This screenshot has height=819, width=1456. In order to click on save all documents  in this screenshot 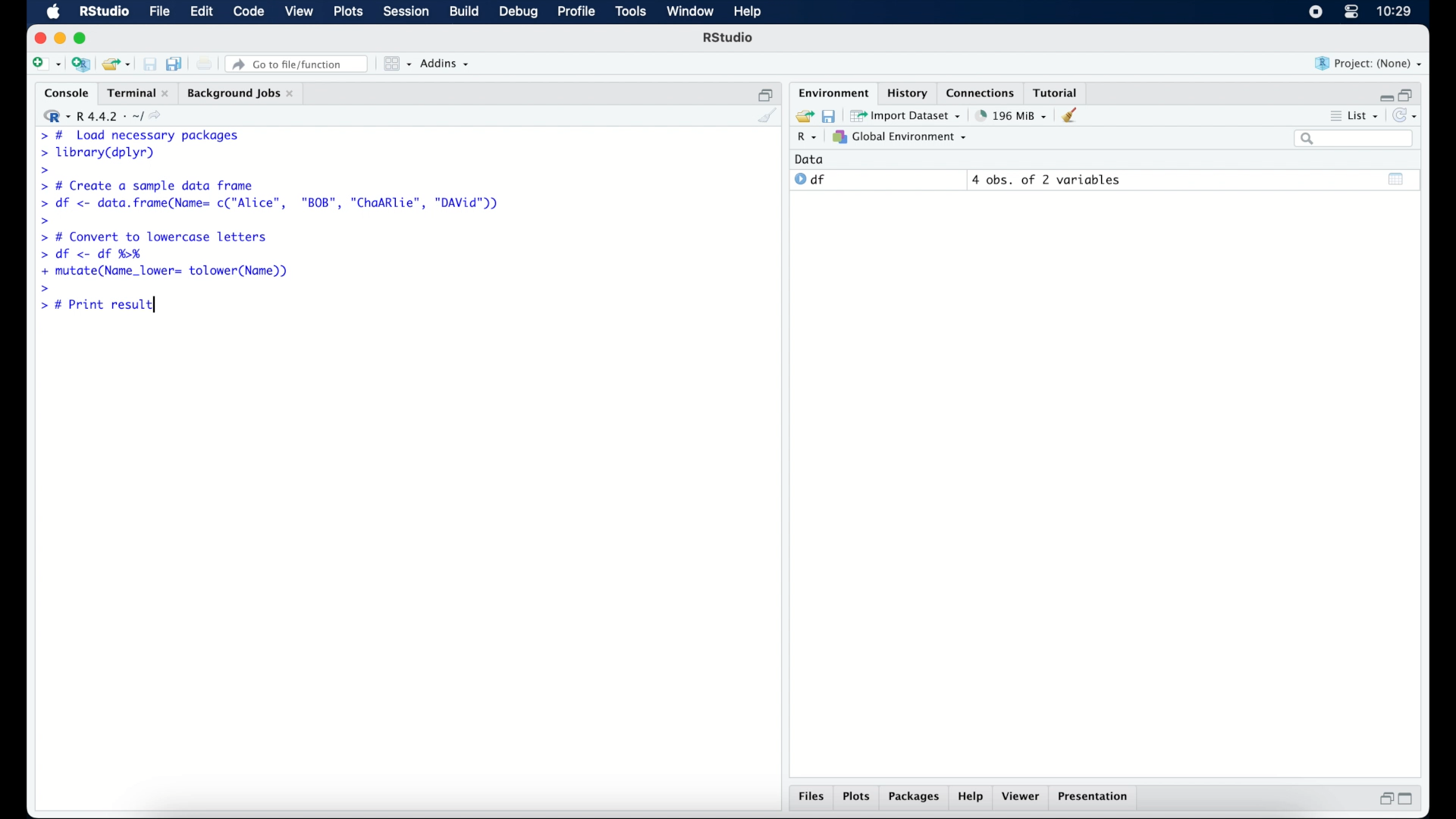, I will do `click(176, 63)`.